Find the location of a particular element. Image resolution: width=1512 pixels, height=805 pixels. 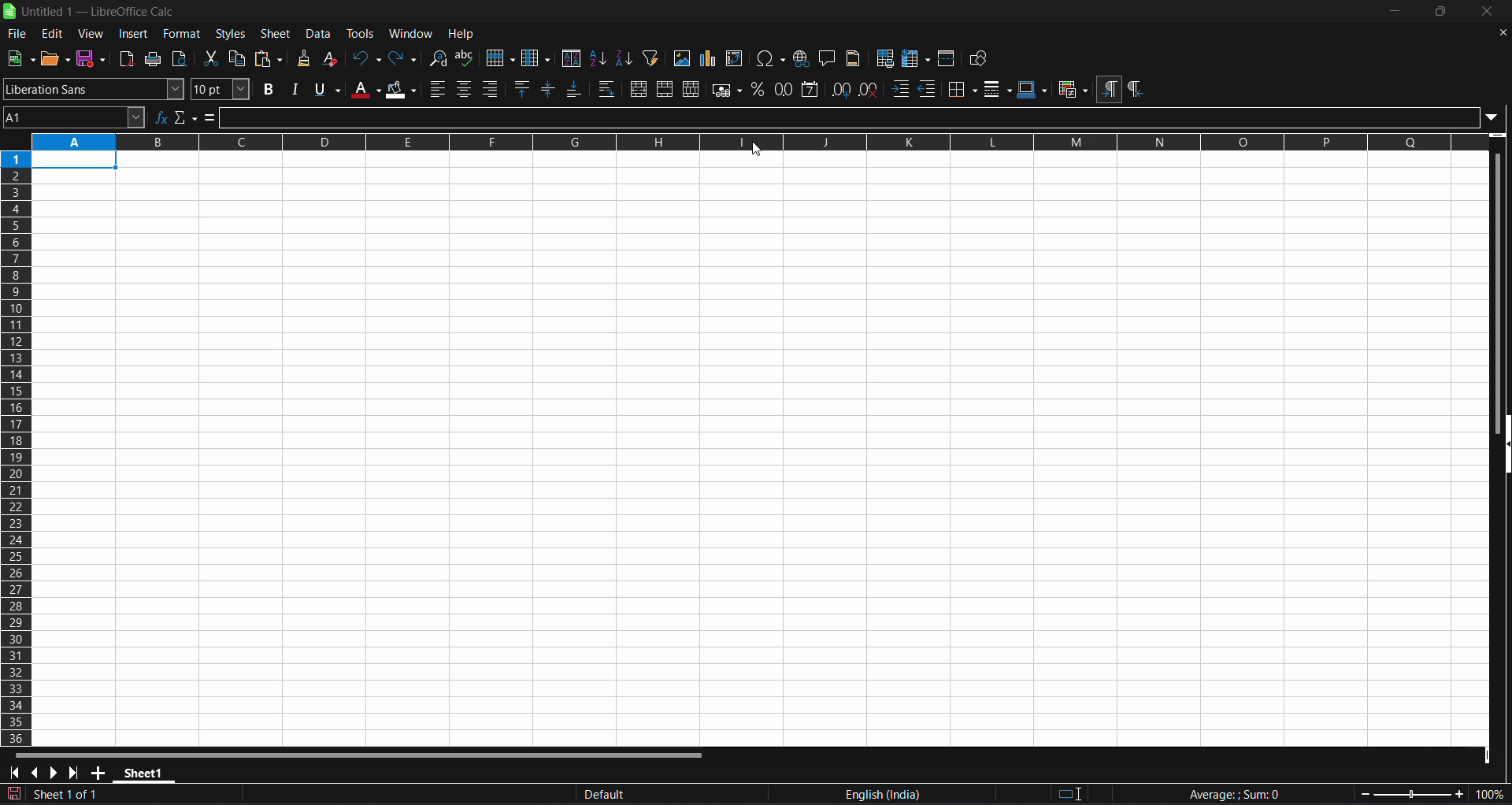

zoom factor is located at coordinates (1454, 803).